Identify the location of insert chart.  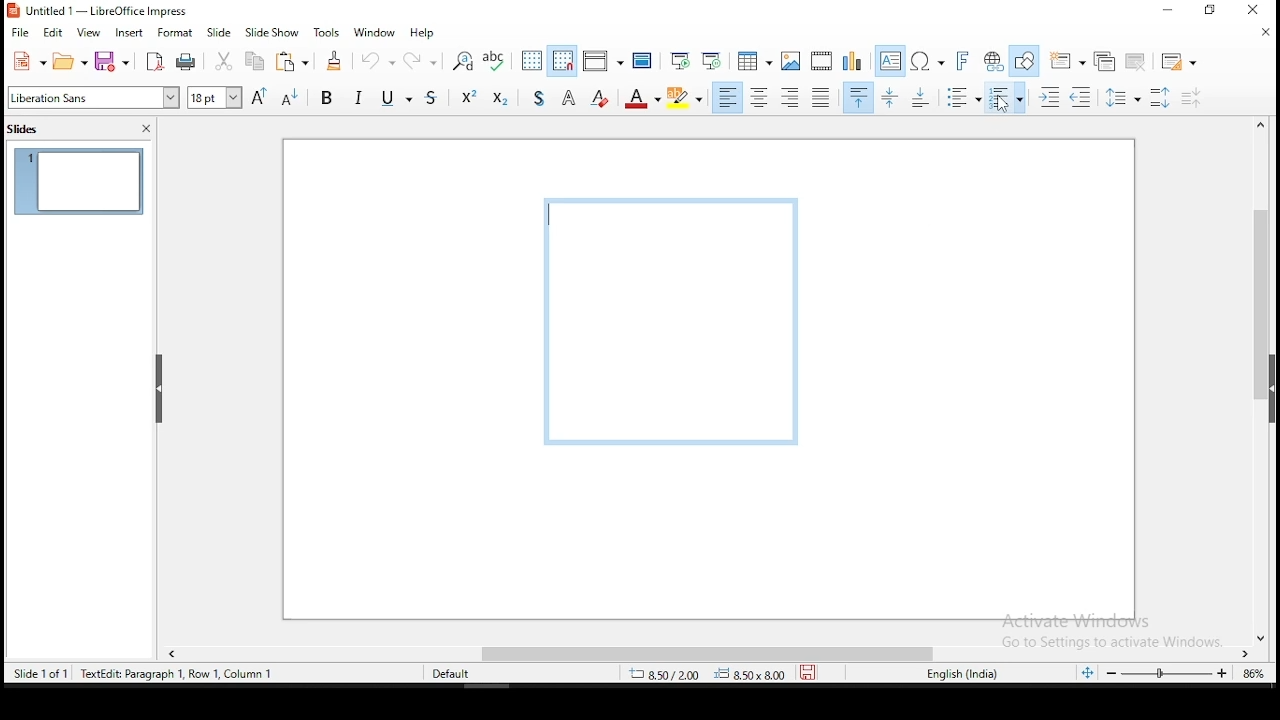
(852, 60).